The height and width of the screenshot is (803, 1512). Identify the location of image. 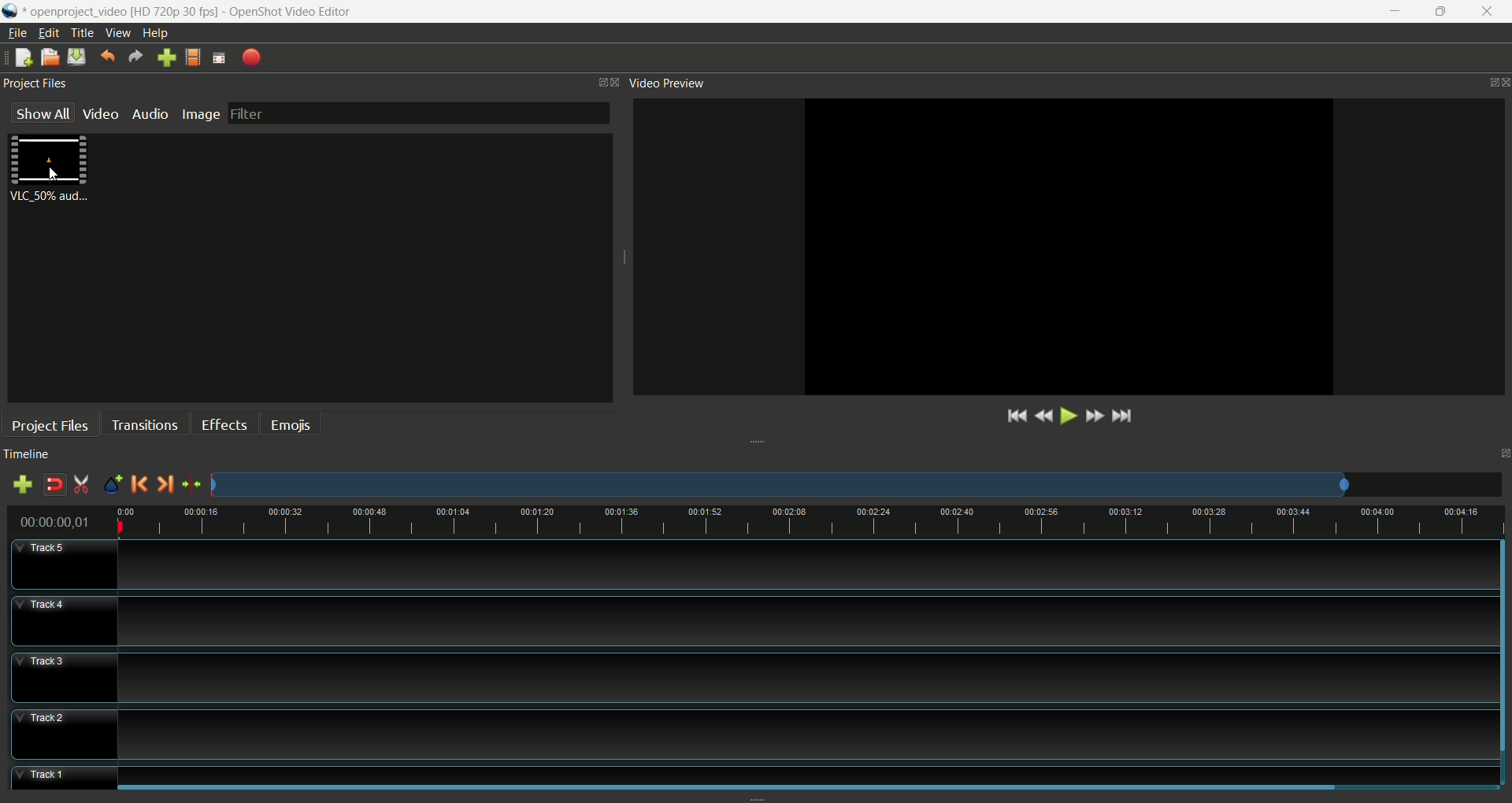
(200, 115).